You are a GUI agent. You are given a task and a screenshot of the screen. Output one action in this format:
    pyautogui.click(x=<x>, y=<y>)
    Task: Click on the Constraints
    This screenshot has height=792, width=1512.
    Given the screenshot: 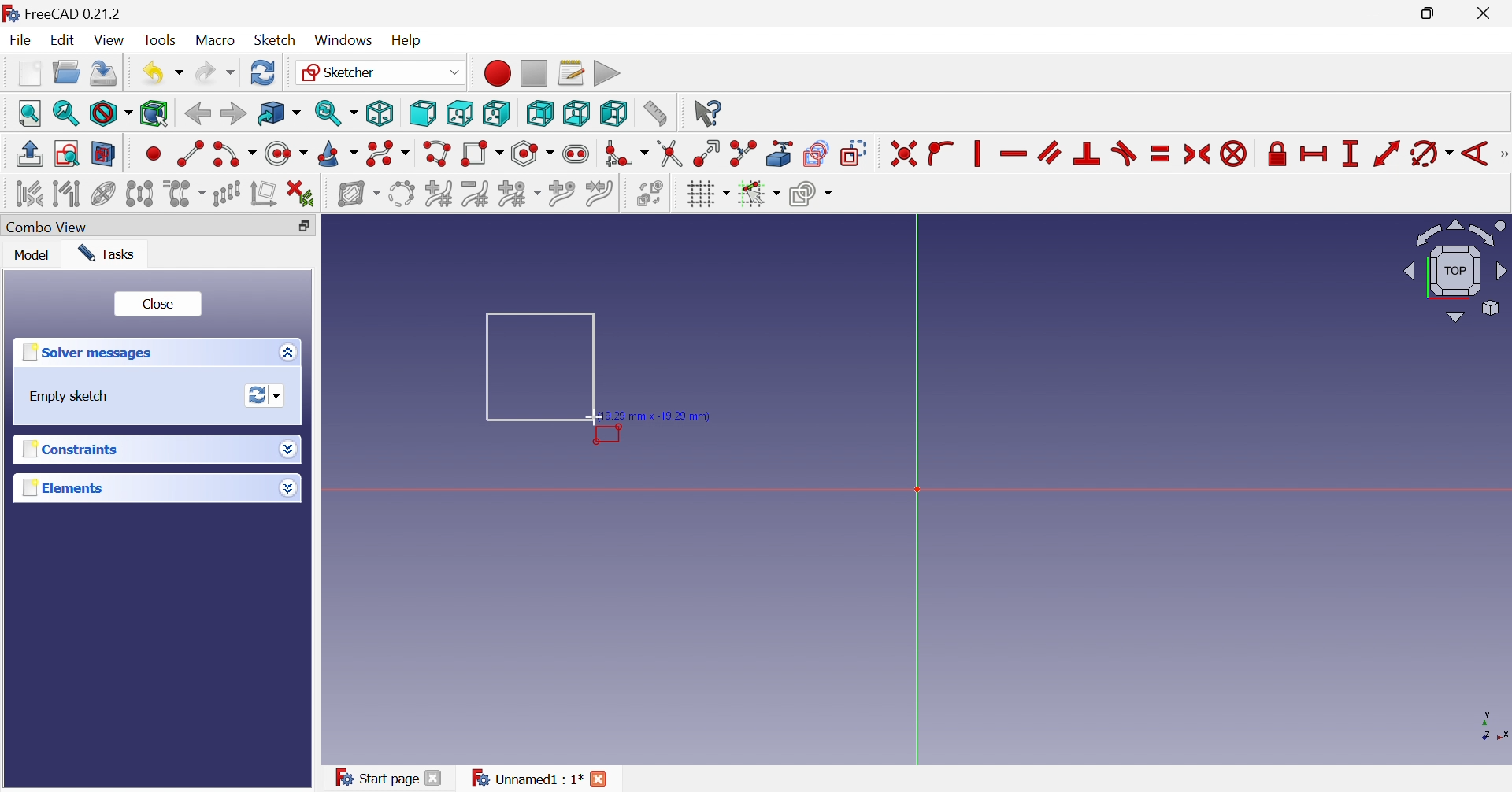 What is the action you would take?
    pyautogui.click(x=67, y=451)
    